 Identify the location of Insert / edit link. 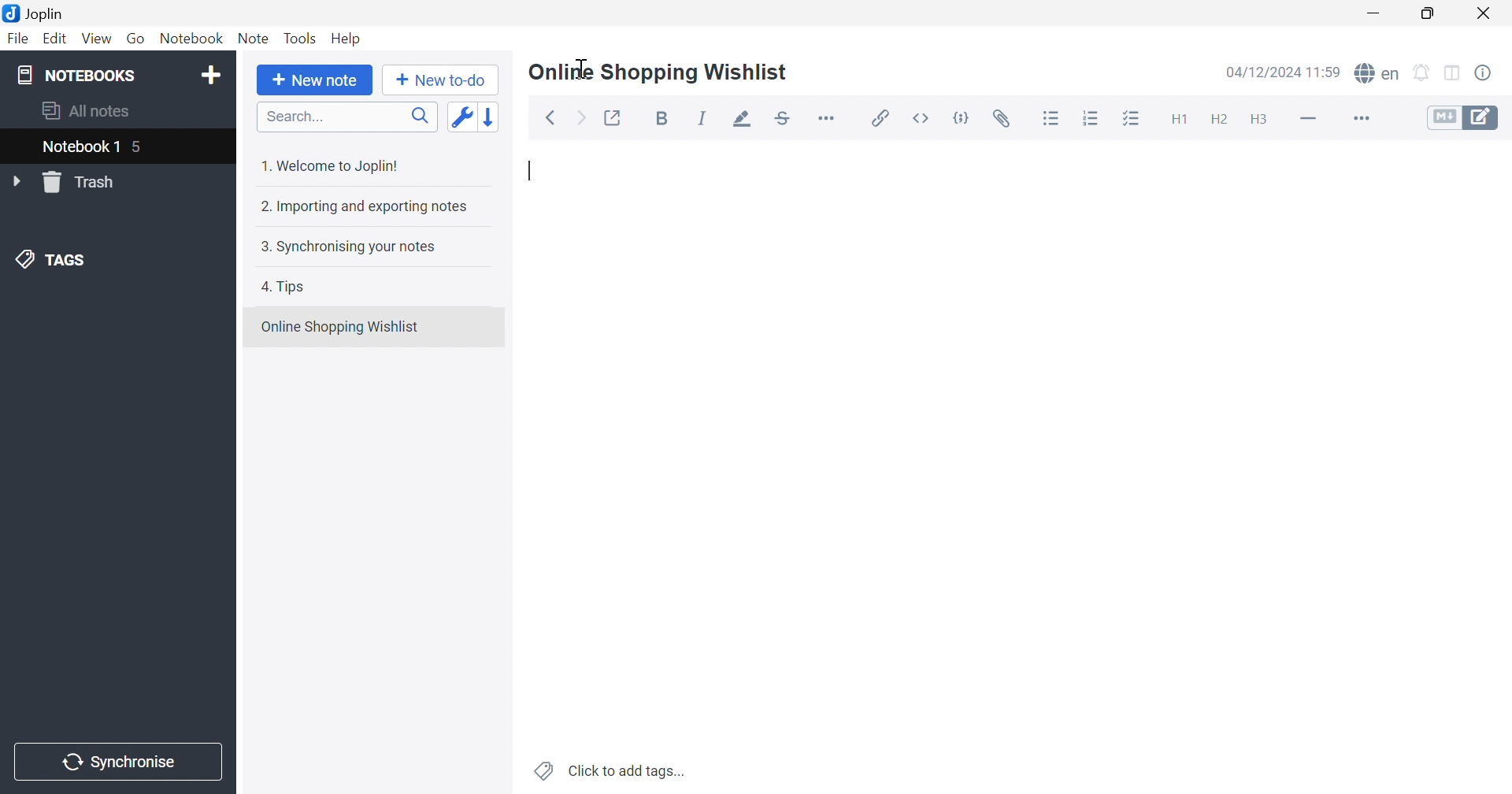
(881, 117).